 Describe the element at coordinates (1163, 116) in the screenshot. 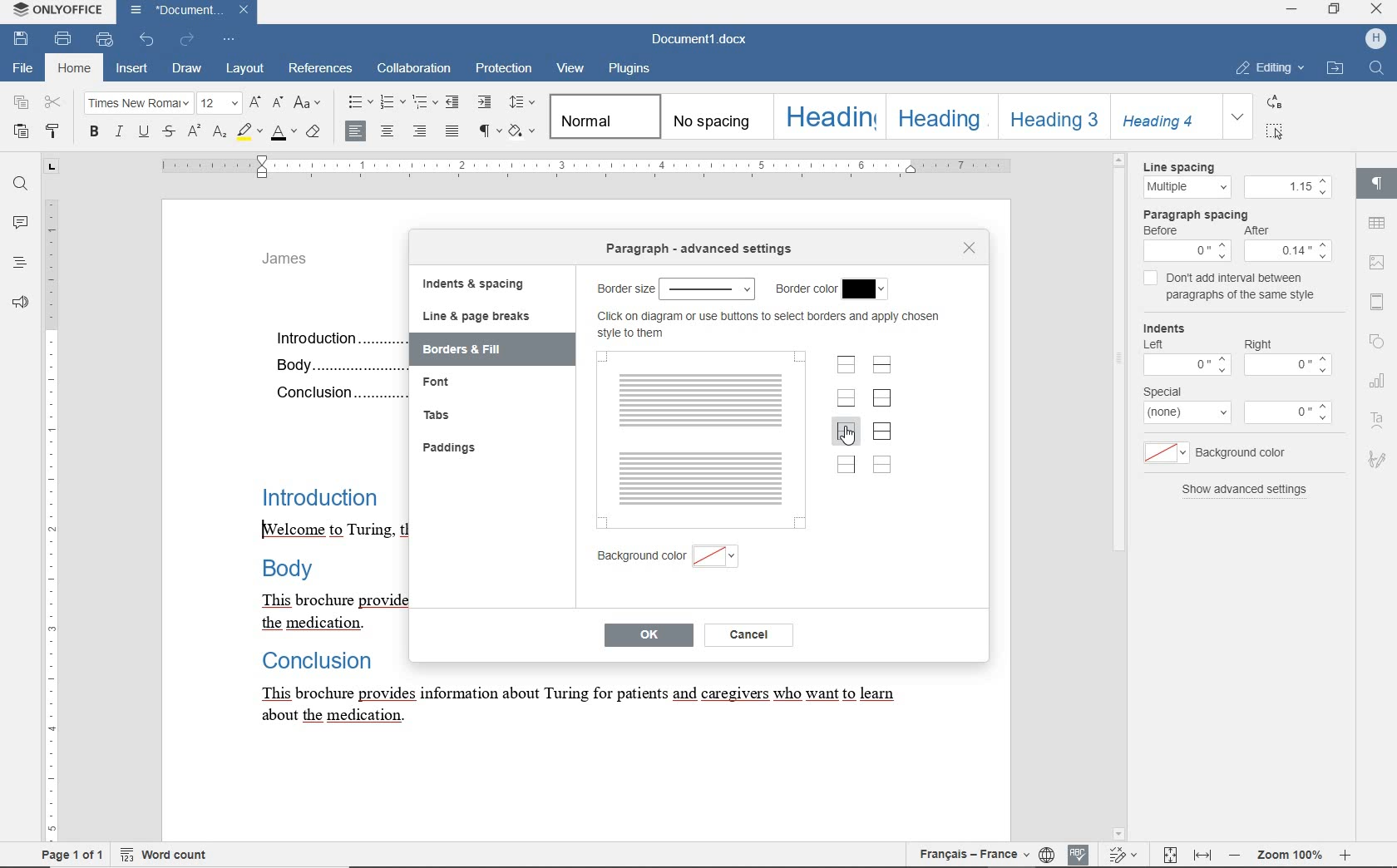

I see `heading 4` at that location.